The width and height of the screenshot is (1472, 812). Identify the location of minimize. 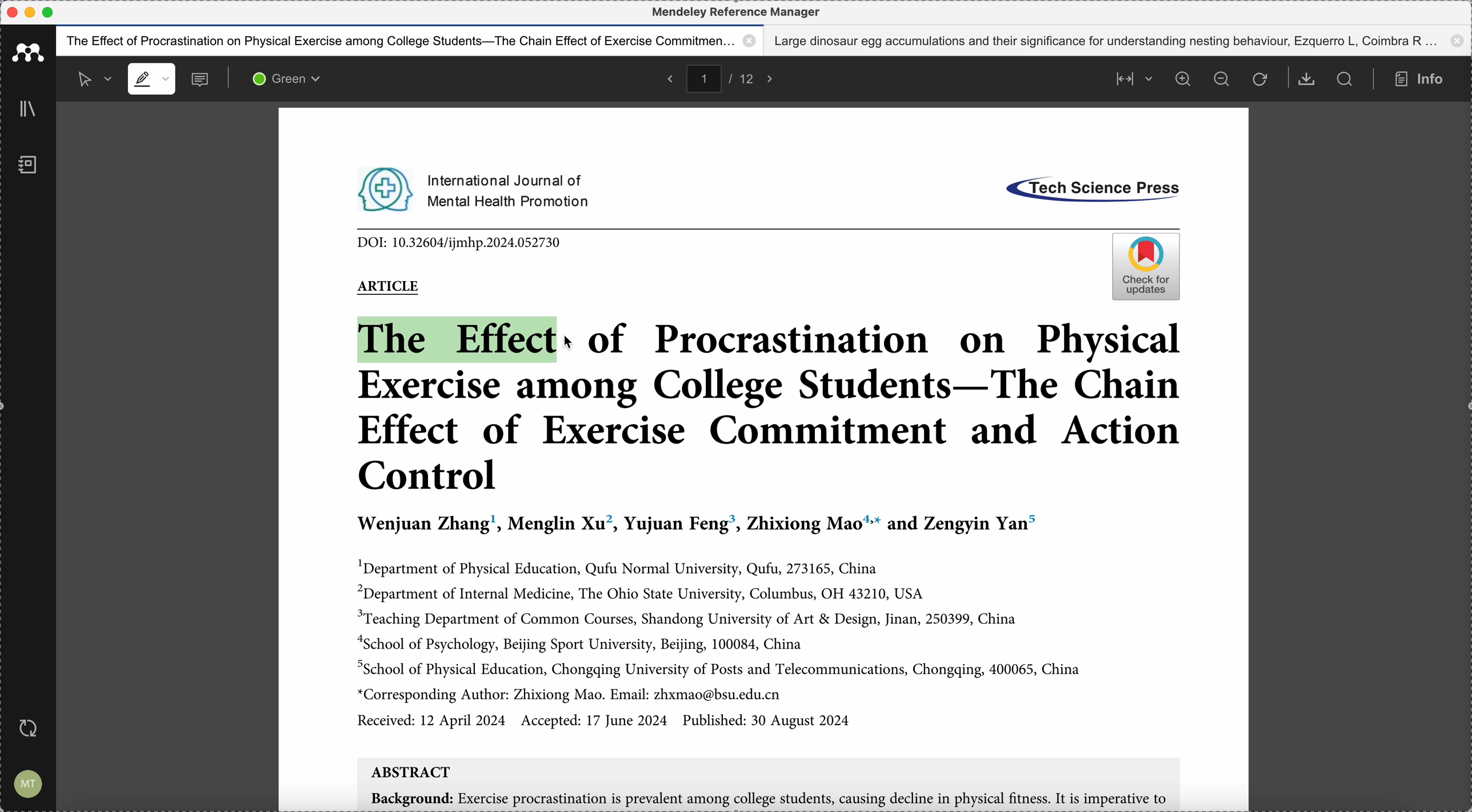
(33, 12).